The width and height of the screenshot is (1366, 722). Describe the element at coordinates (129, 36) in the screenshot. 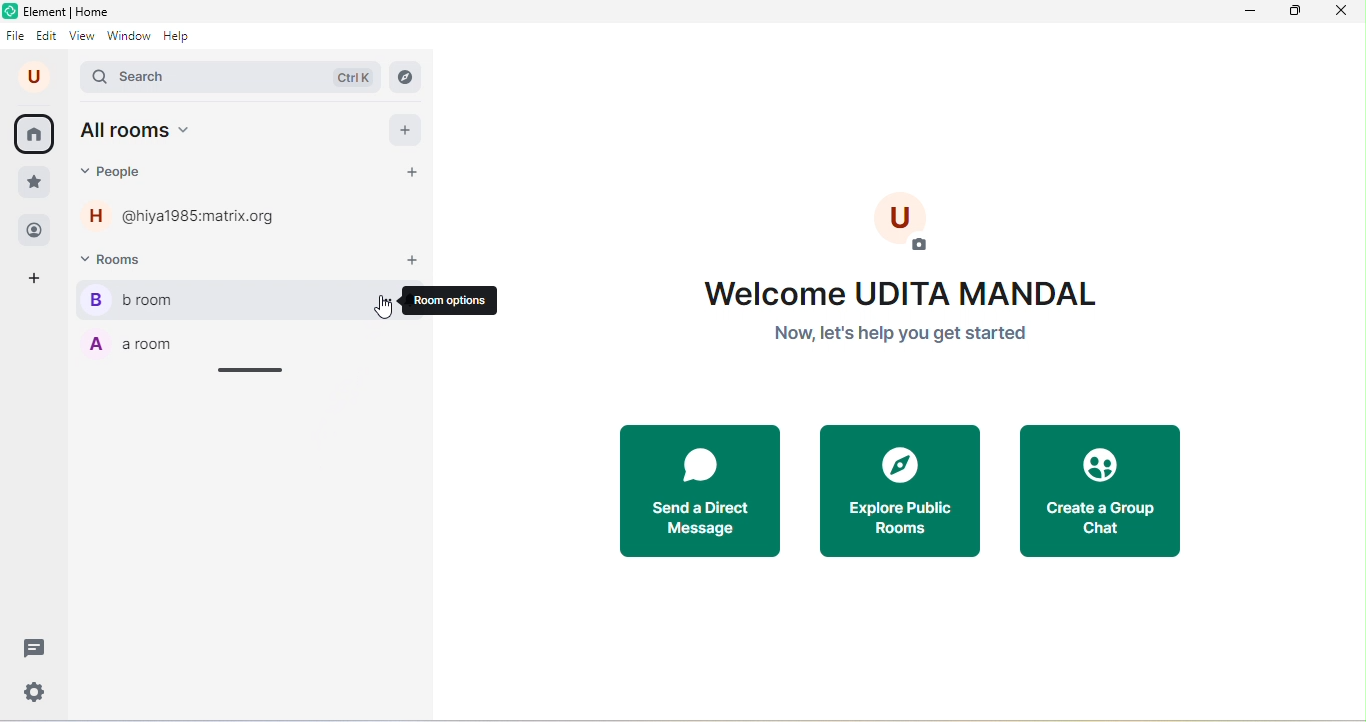

I see `window` at that location.